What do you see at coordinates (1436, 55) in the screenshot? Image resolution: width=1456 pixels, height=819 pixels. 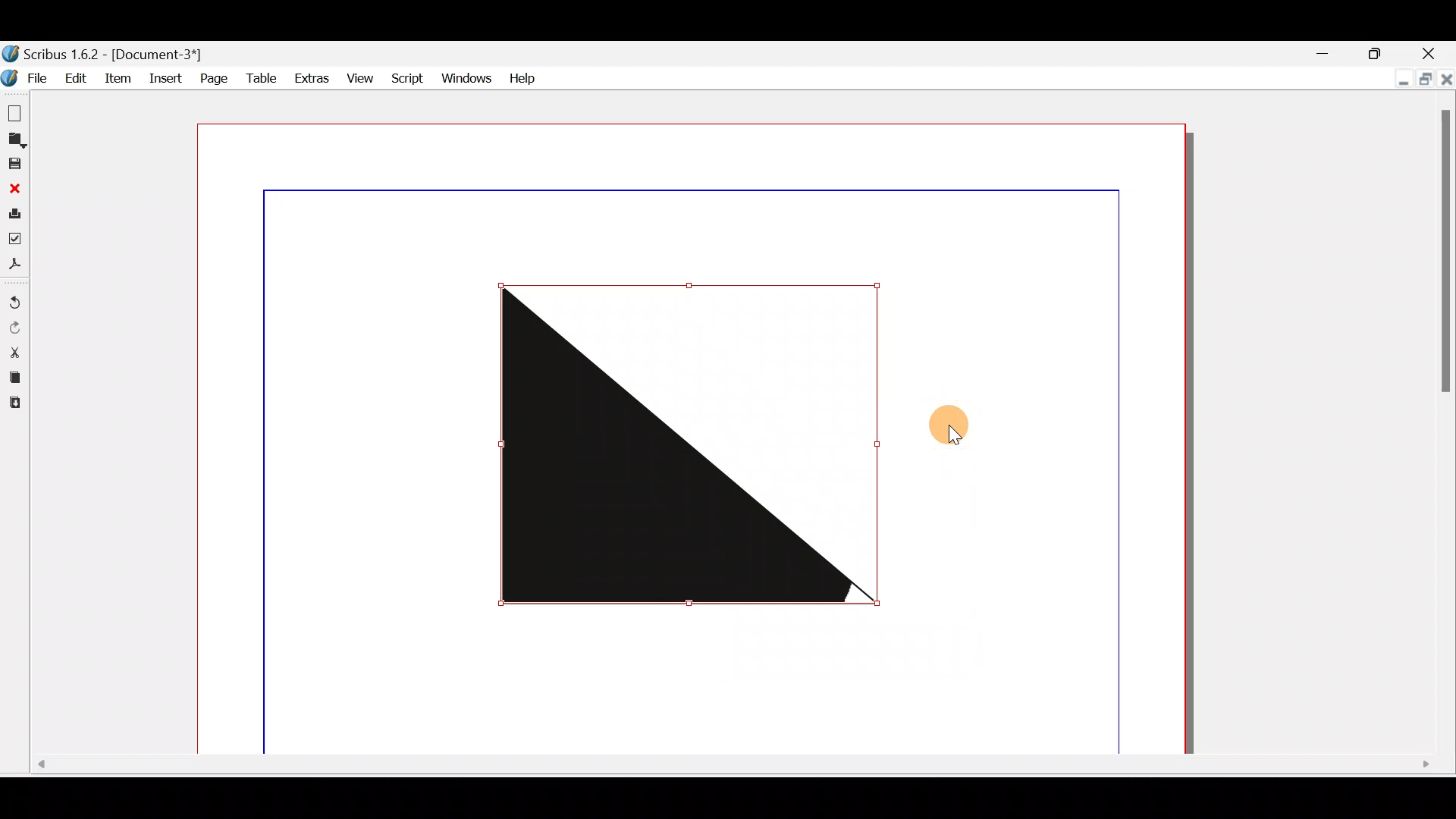 I see `Close` at bounding box center [1436, 55].